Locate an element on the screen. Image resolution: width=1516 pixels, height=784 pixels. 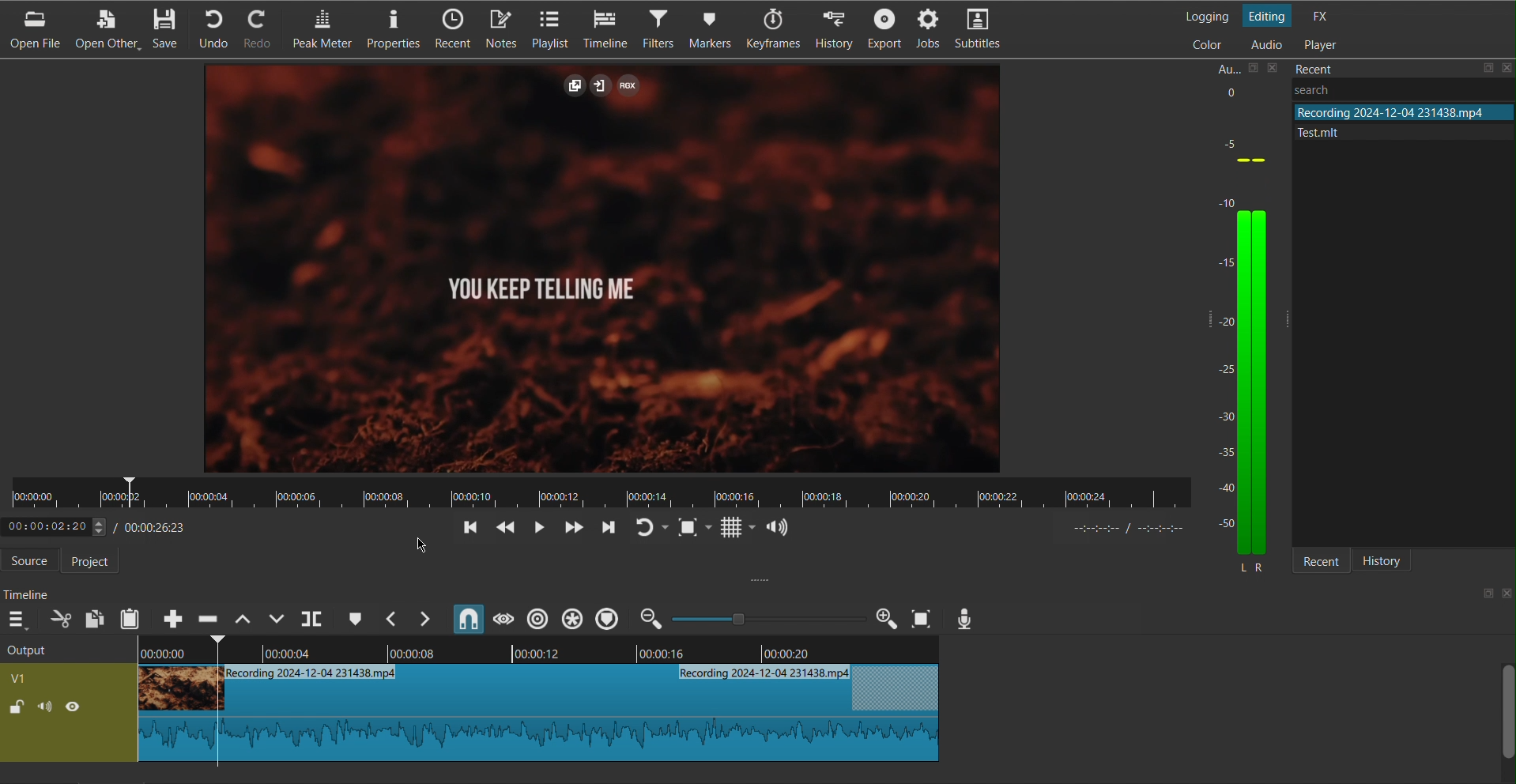
Remaining Clip is located at coordinates (588, 713).